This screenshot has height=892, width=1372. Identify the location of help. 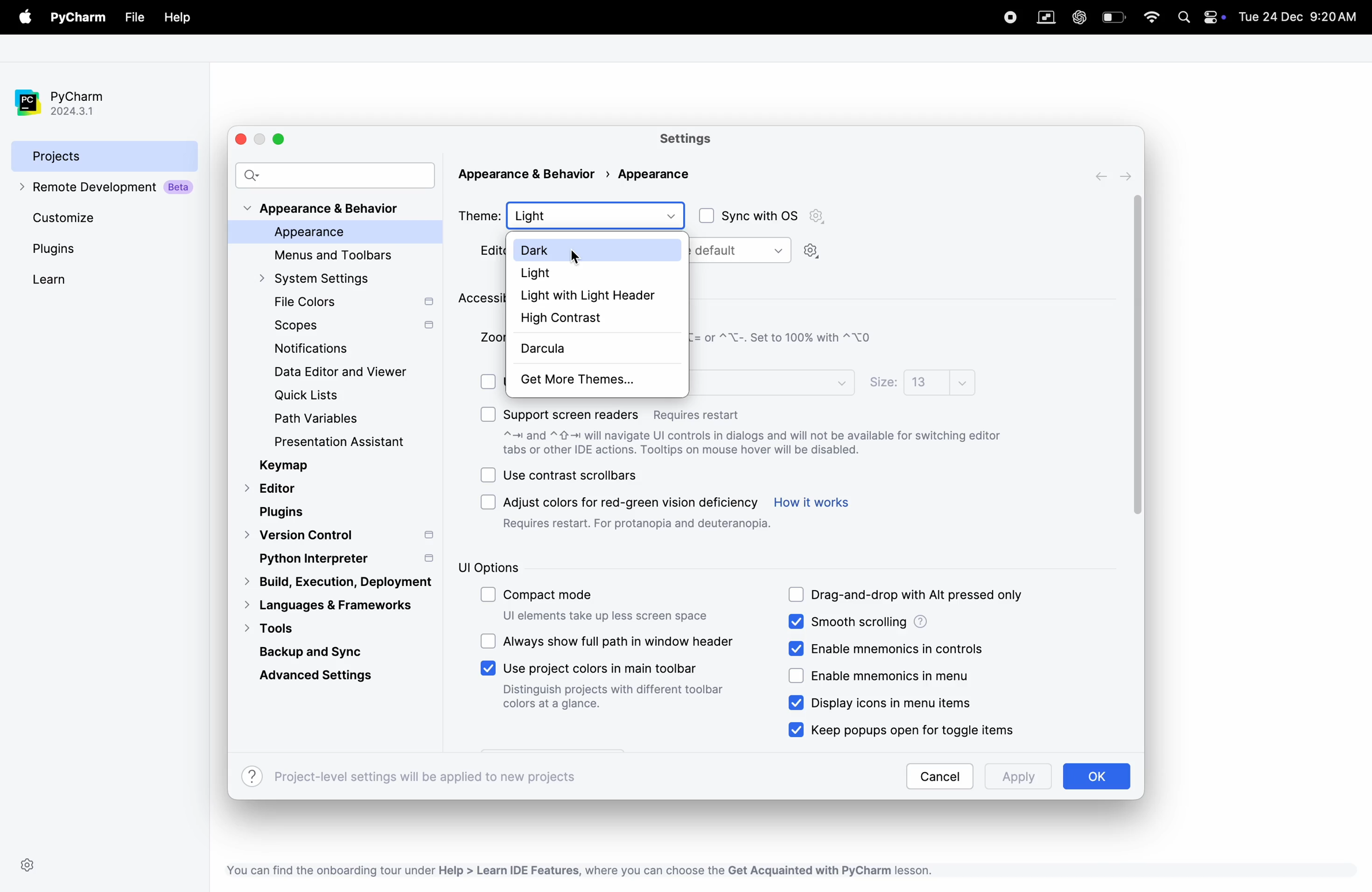
(177, 18).